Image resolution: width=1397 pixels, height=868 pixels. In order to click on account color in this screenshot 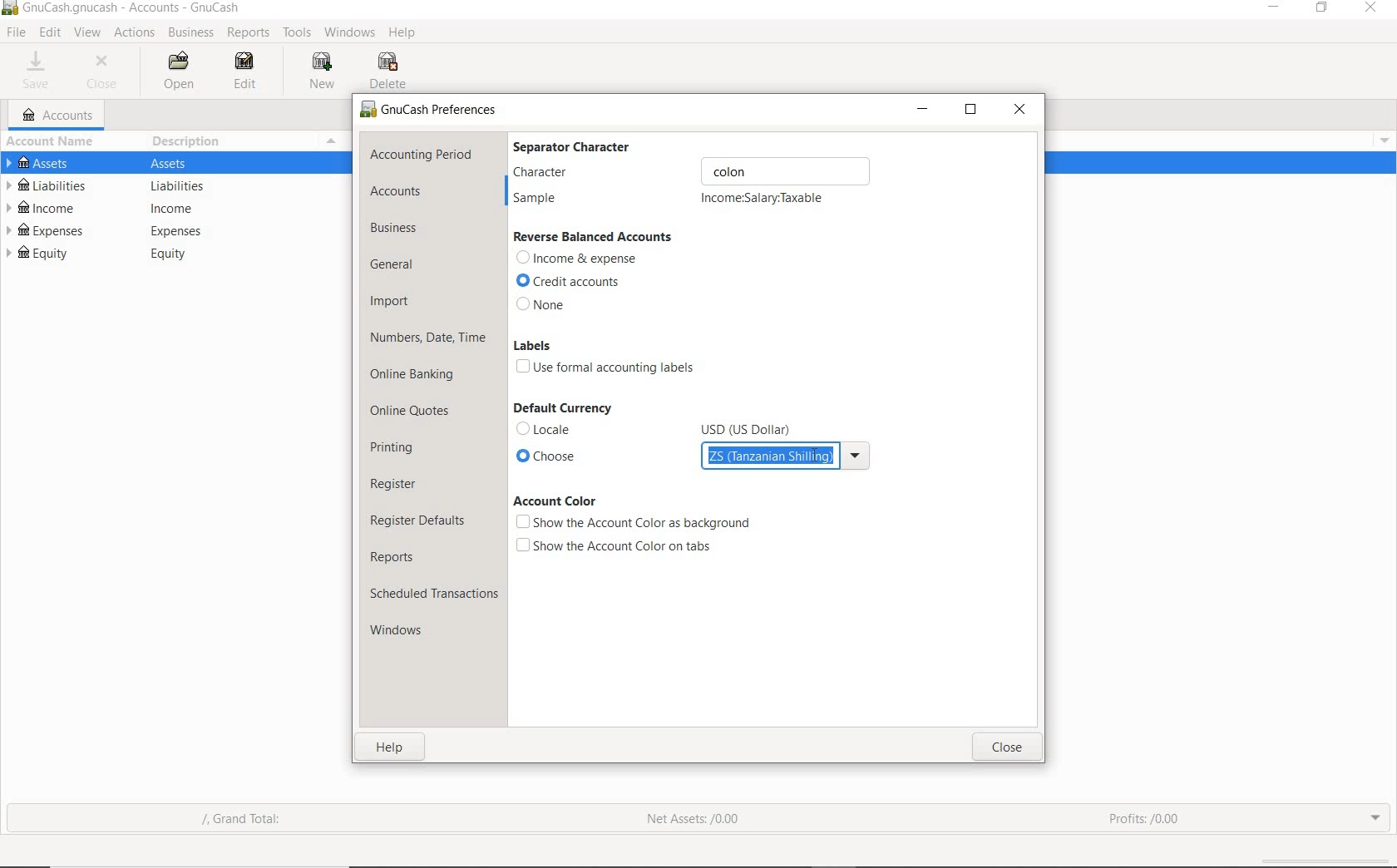, I will do `click(554, 501)`.